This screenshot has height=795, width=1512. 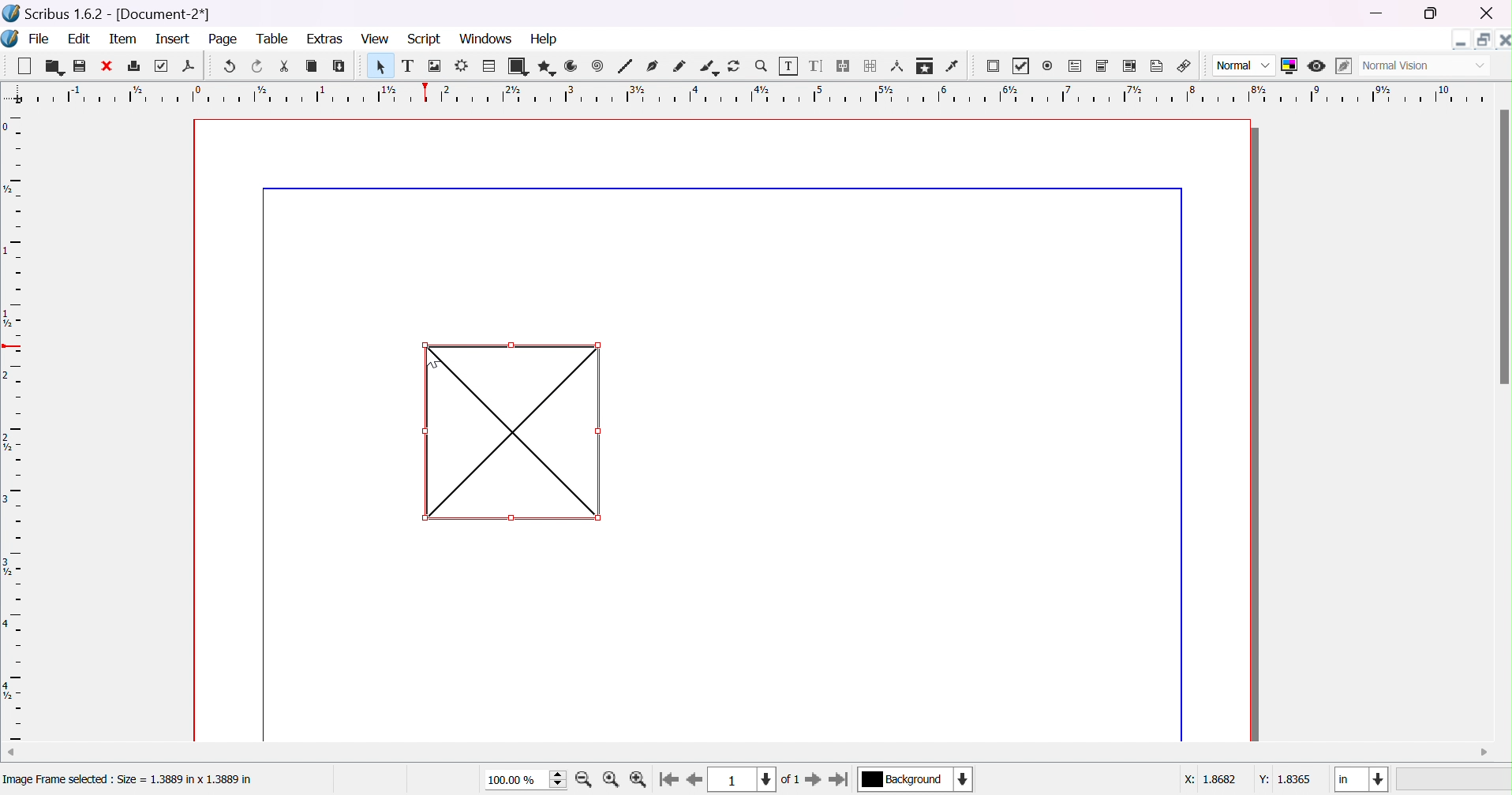 I want to click on scroll left, so click(x=9, y=751).